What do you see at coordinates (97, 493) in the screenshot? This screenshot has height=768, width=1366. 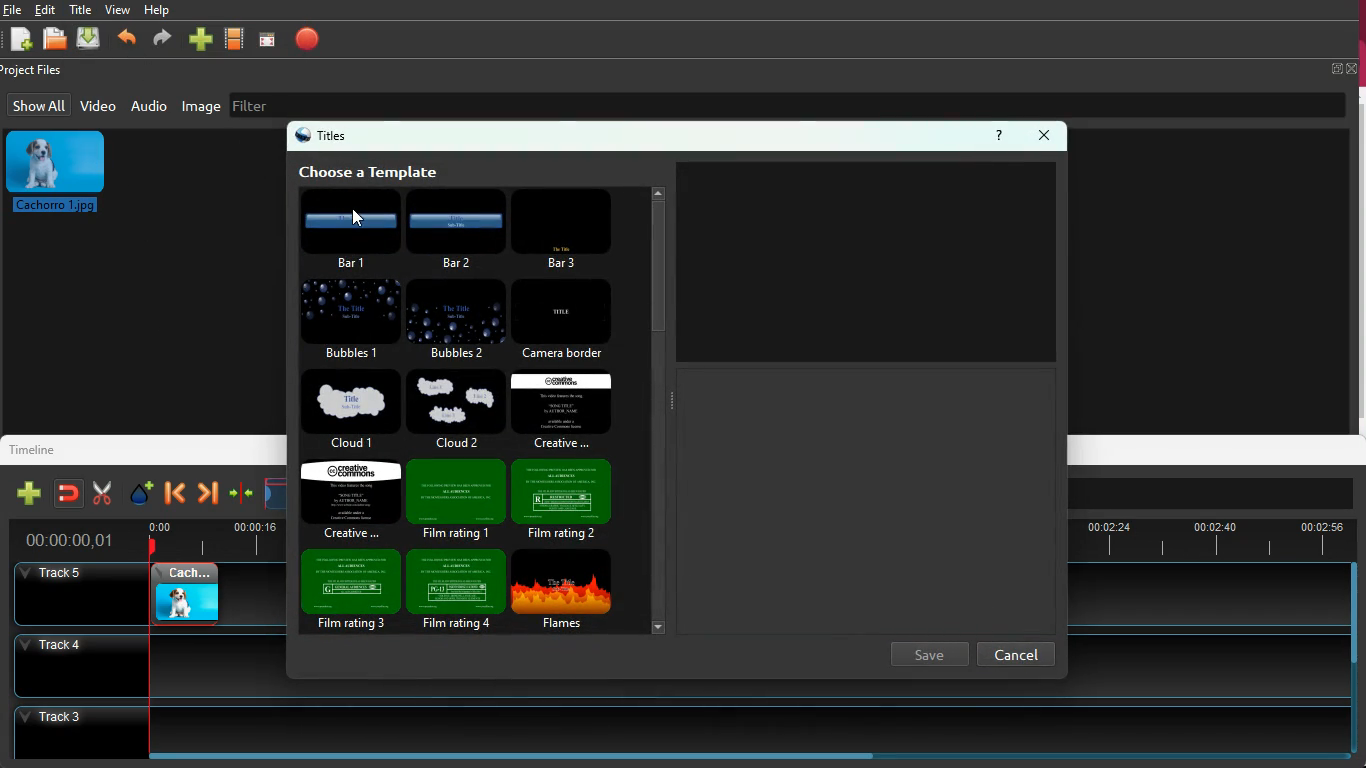 I see `cut` at bounding box center [97, 493].